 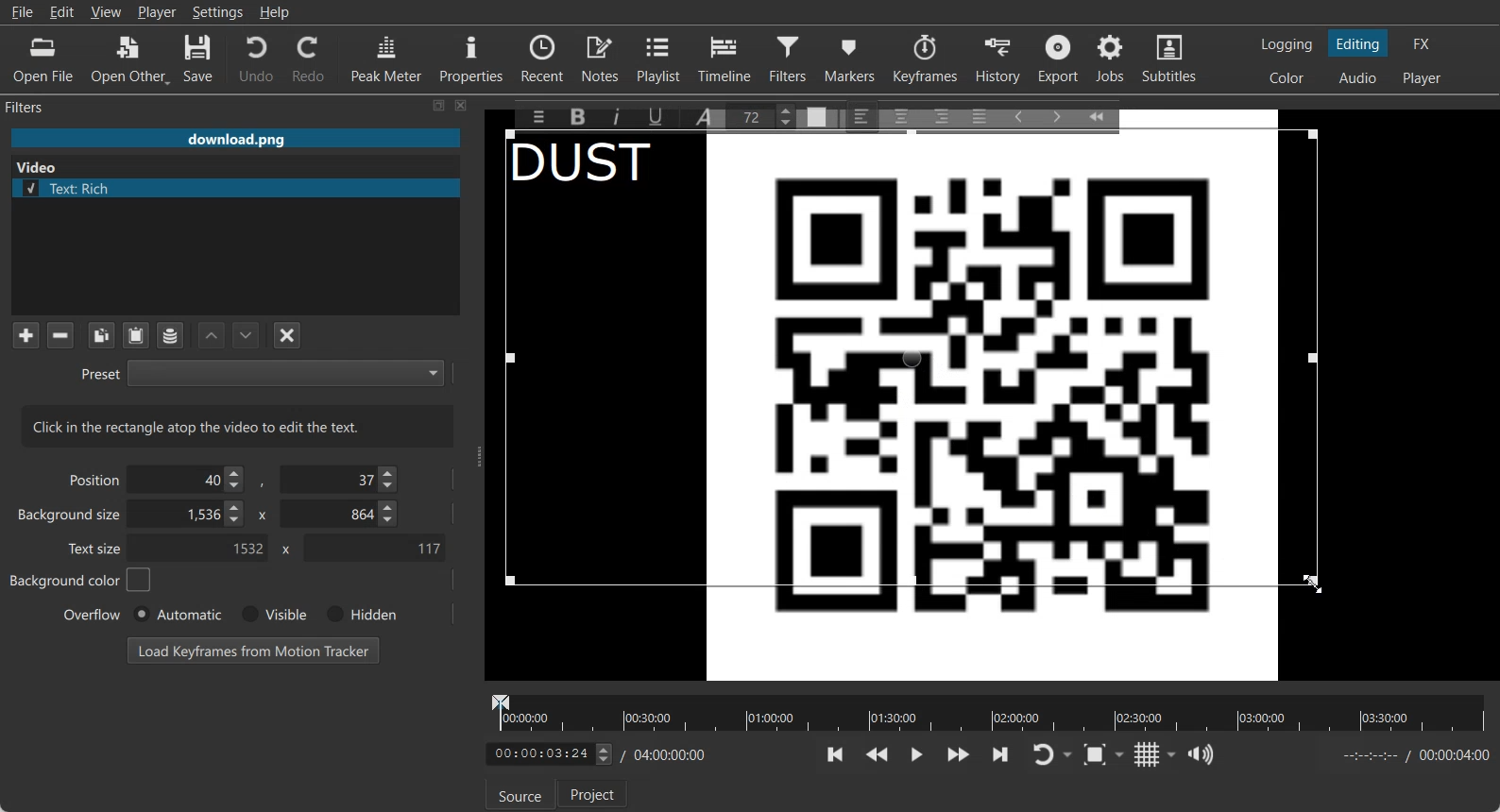 I want to click on Export, so click(x=1061, y=59).